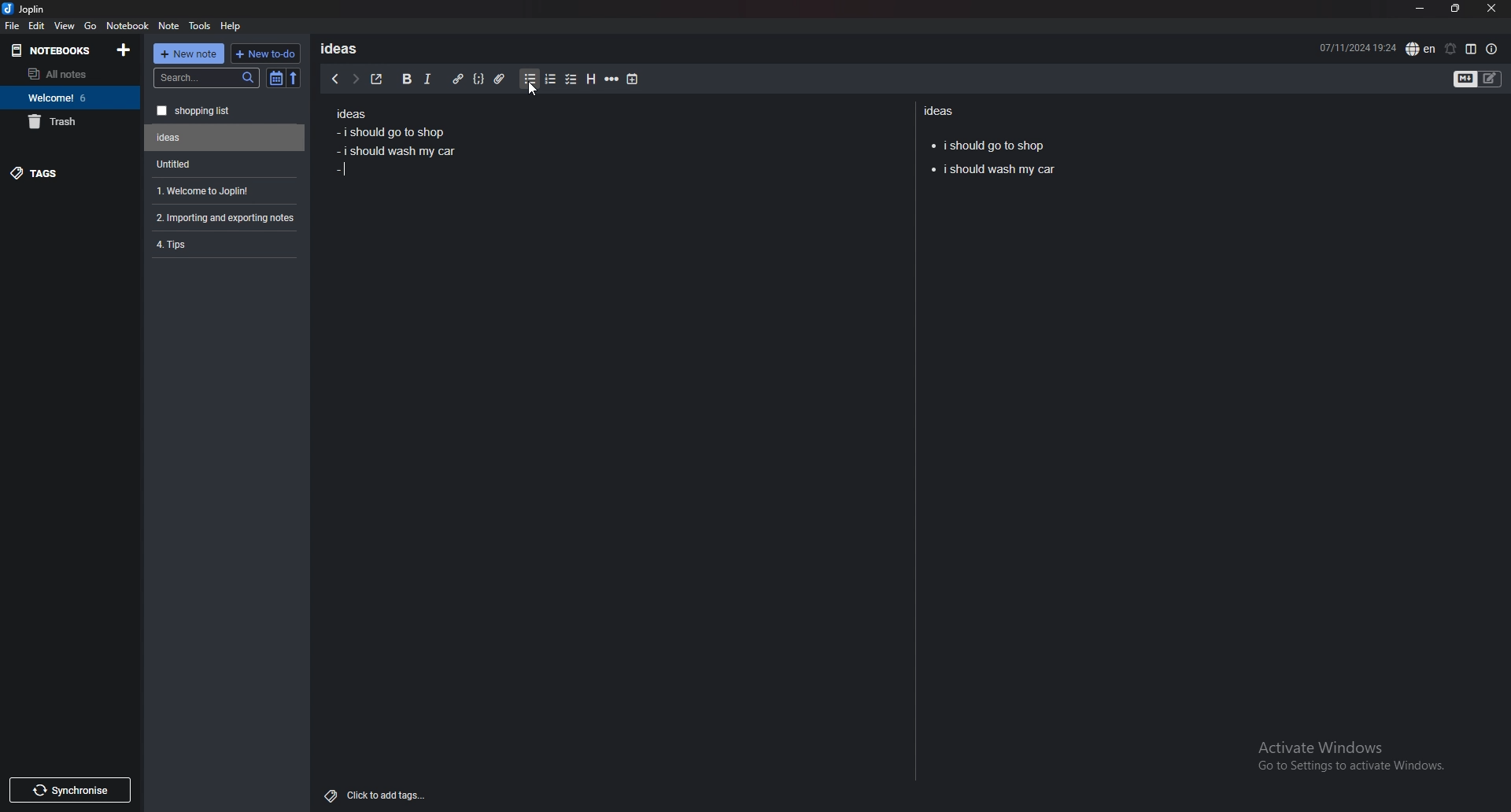 Image resolution: width=1511 pixels, height=812 pixels. I want to click on 07/11/2024 19:24, so click(1358, 46).